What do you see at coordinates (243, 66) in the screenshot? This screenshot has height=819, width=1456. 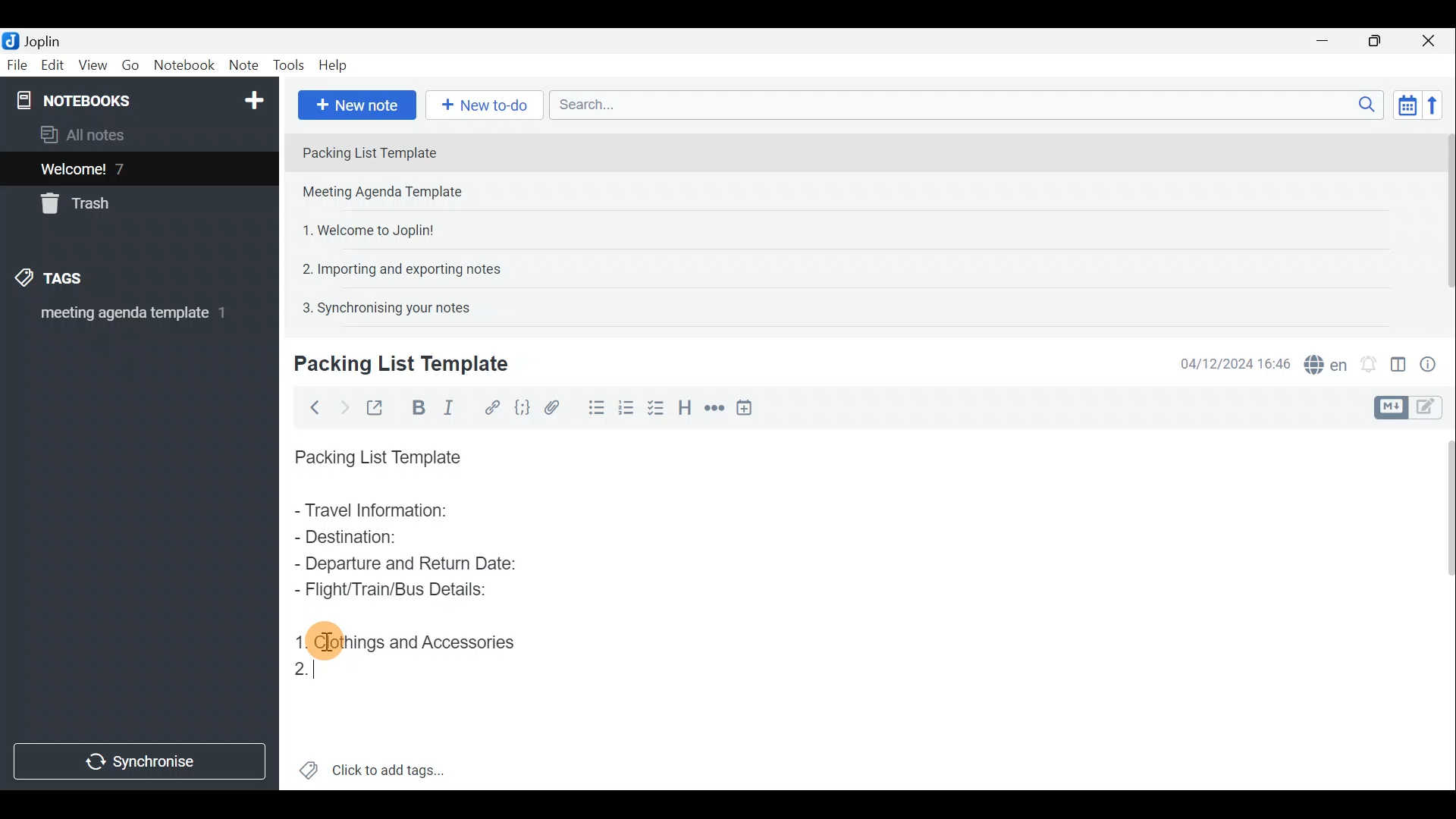 I see `Note` at bounding box center [243, 66].